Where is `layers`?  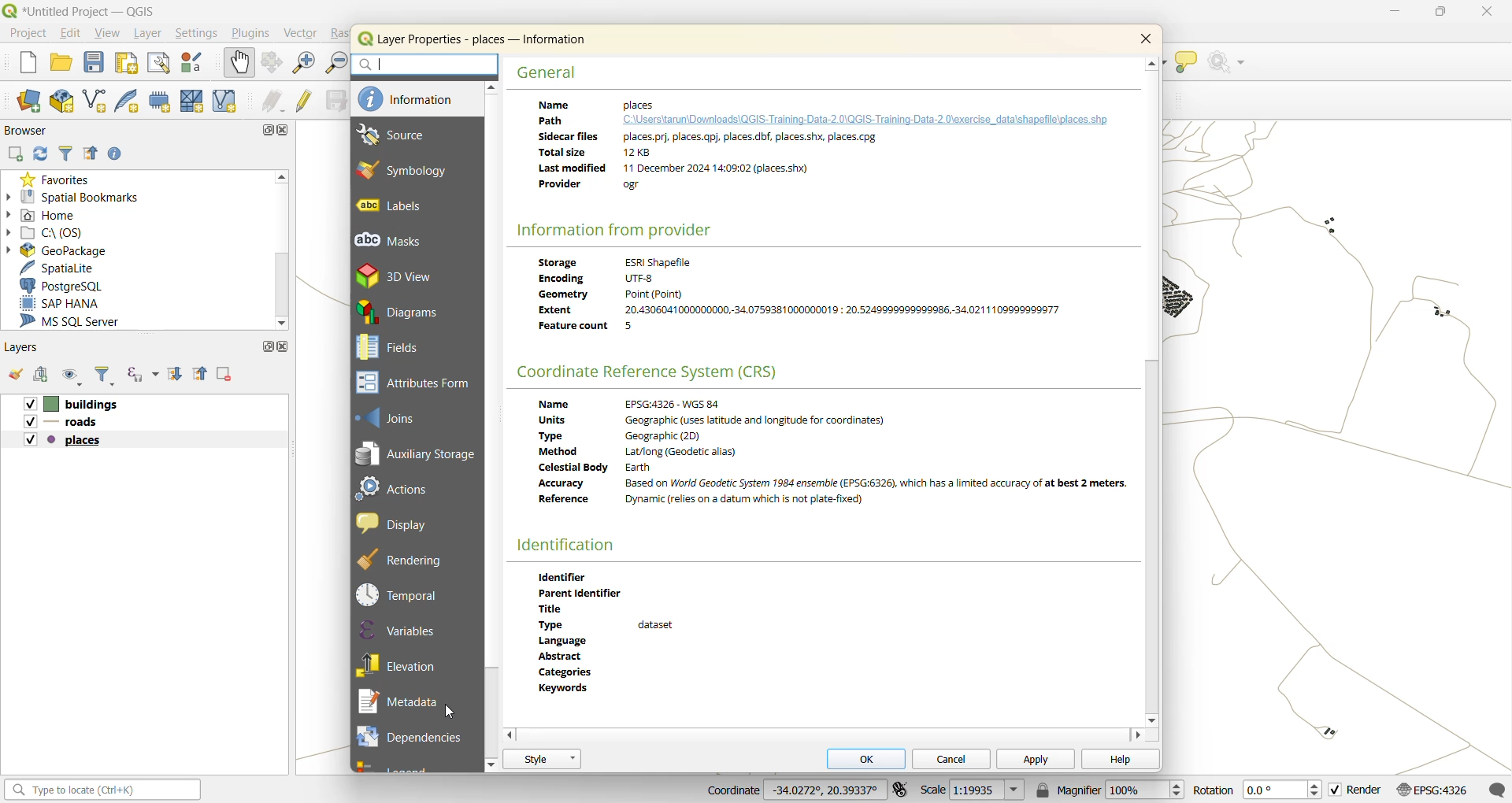
layers is located at coordinates (74, 404).